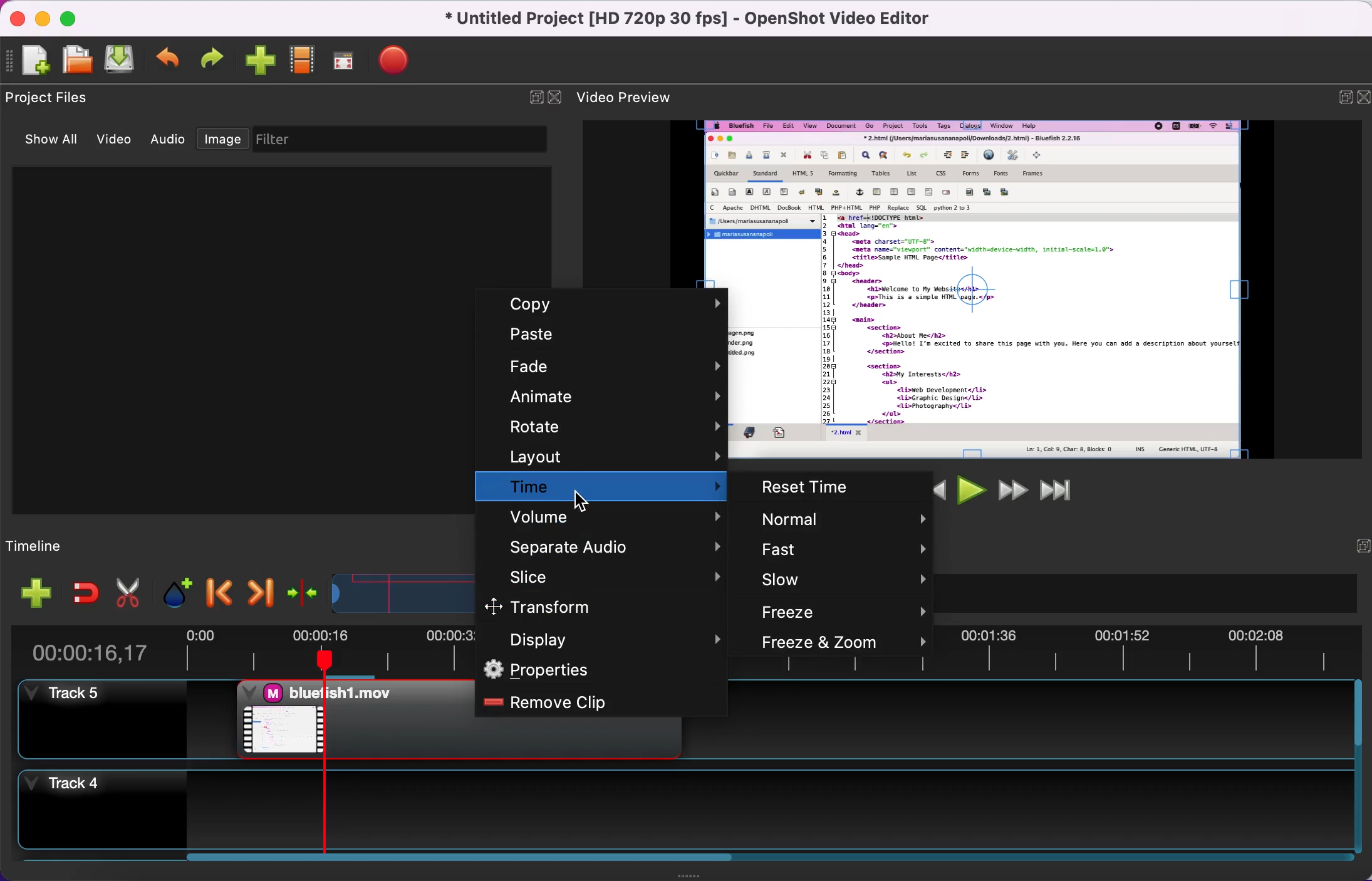  Describe the element at coordinates (105, 647) in the screenshot. I see `time duration` at that location.